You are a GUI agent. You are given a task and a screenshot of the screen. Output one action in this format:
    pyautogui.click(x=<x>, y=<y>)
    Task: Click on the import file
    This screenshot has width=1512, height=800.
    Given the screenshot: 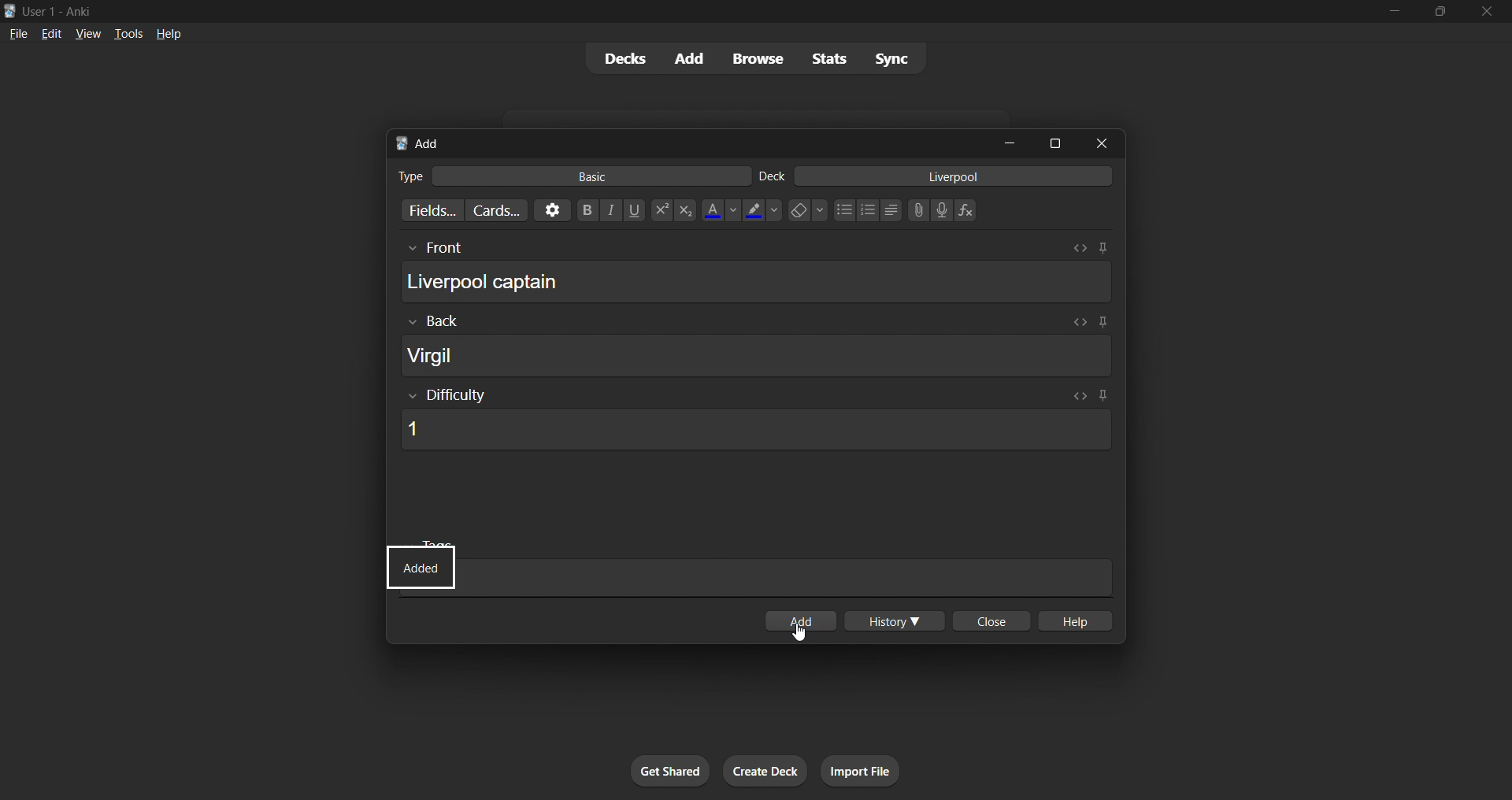 What is the action you would take?
    pyautogui.click(x=860, y=771)
    